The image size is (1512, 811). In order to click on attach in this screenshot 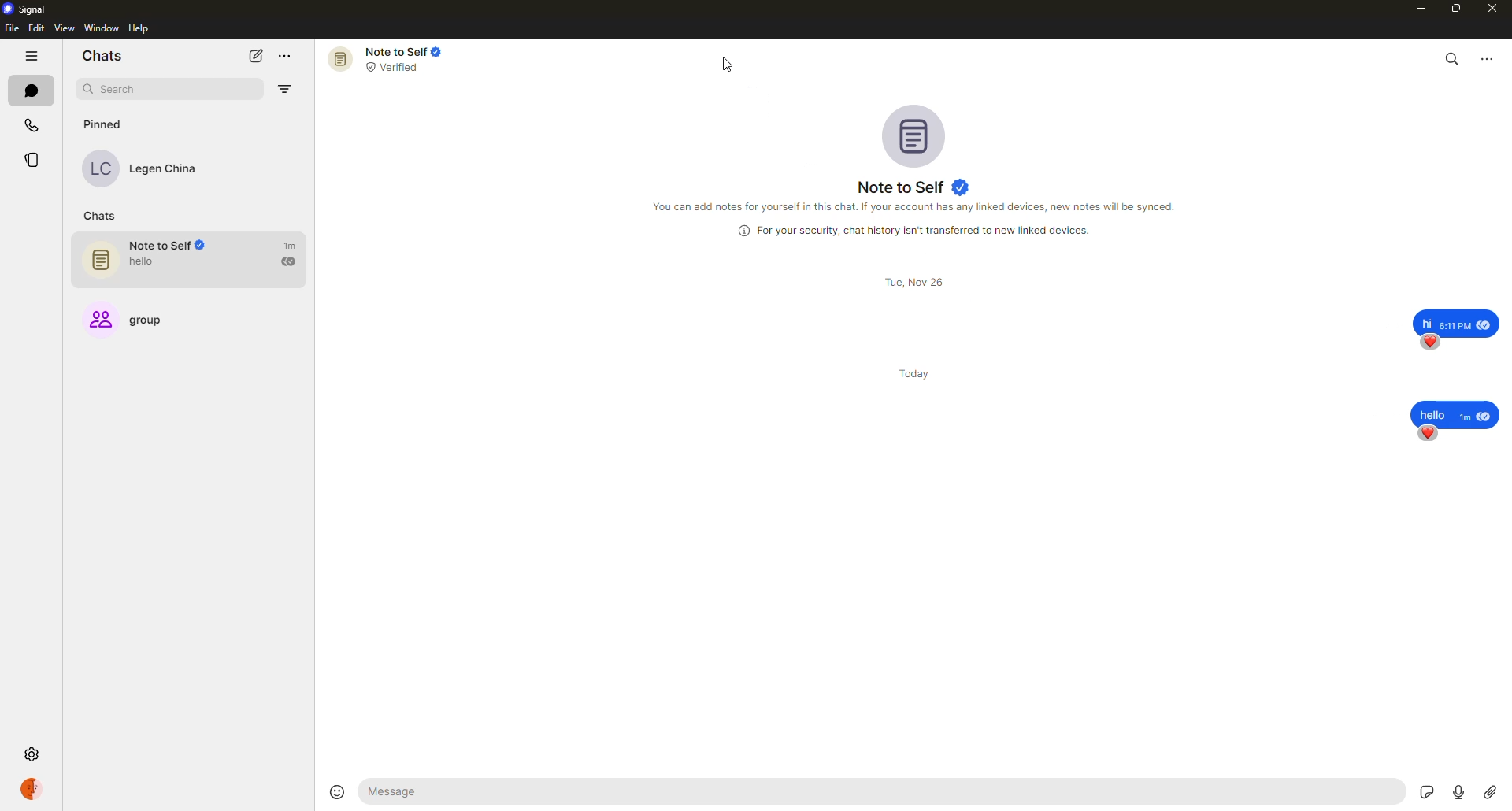, I will do `click(1490, 791)`.